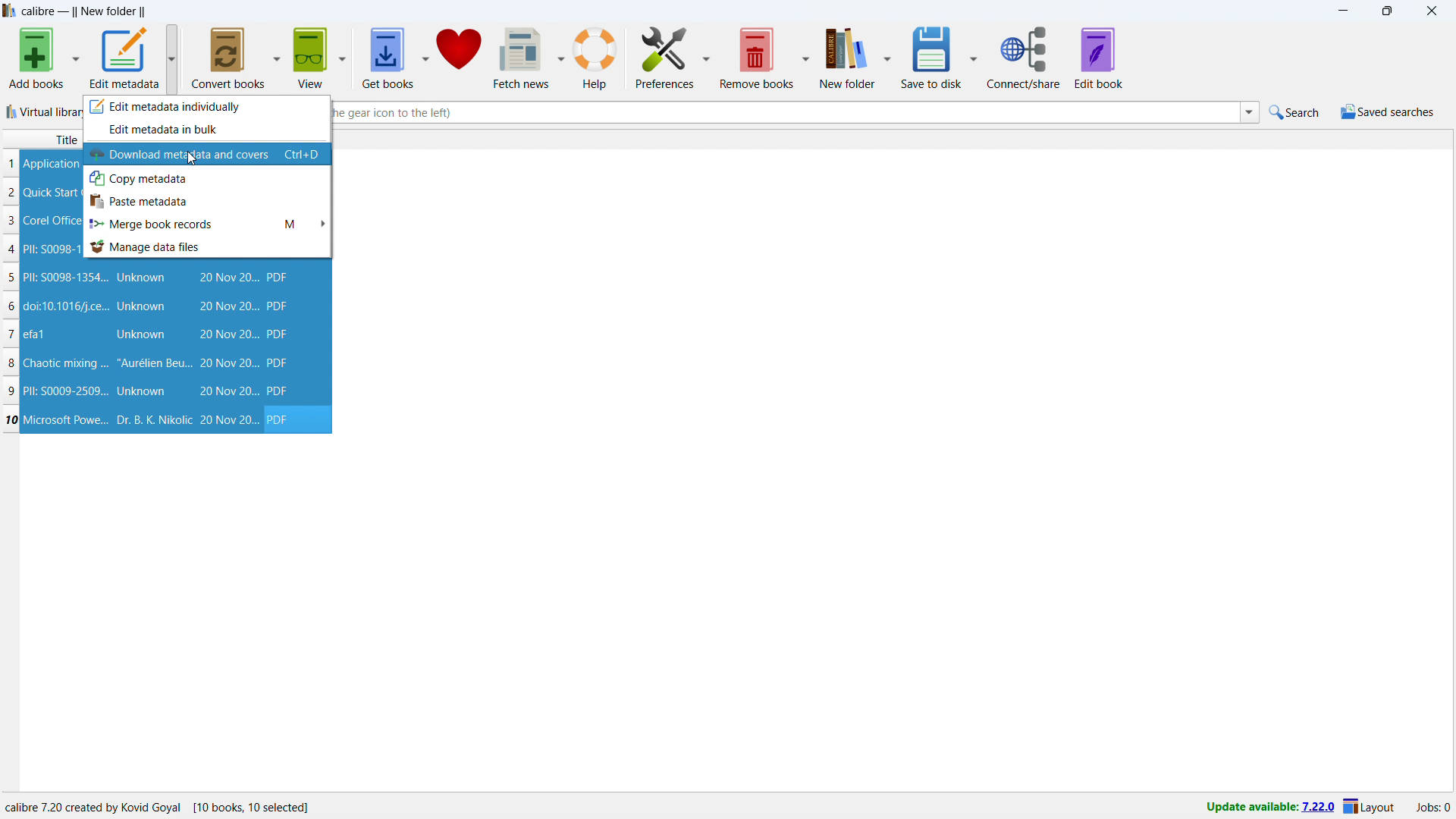  Describe the element at coordinates (1342, 11) in the screenshot. I see `minimize` at that location.